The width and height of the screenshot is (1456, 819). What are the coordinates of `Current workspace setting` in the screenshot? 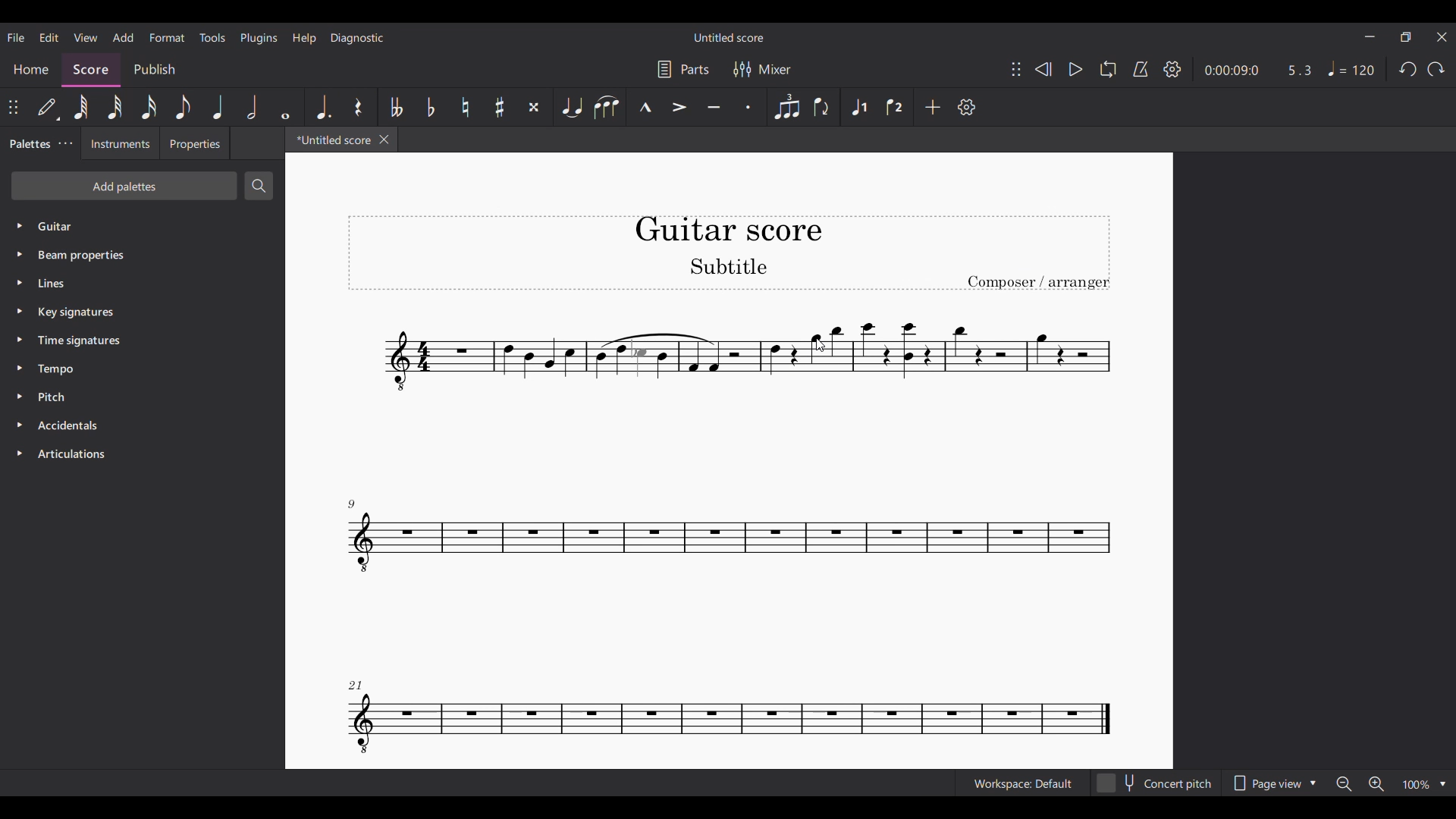 It's located at (1022, 783).